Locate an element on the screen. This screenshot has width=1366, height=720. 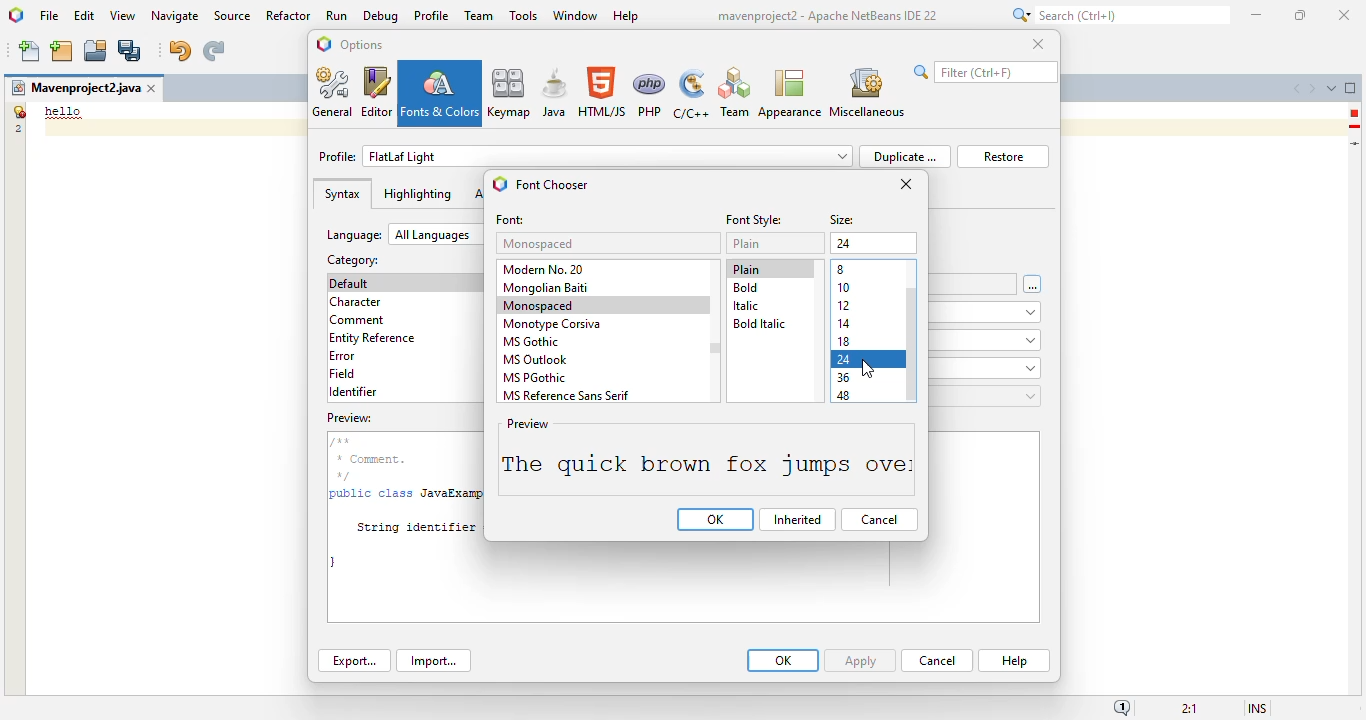
options is located at coordinates (361, 44).